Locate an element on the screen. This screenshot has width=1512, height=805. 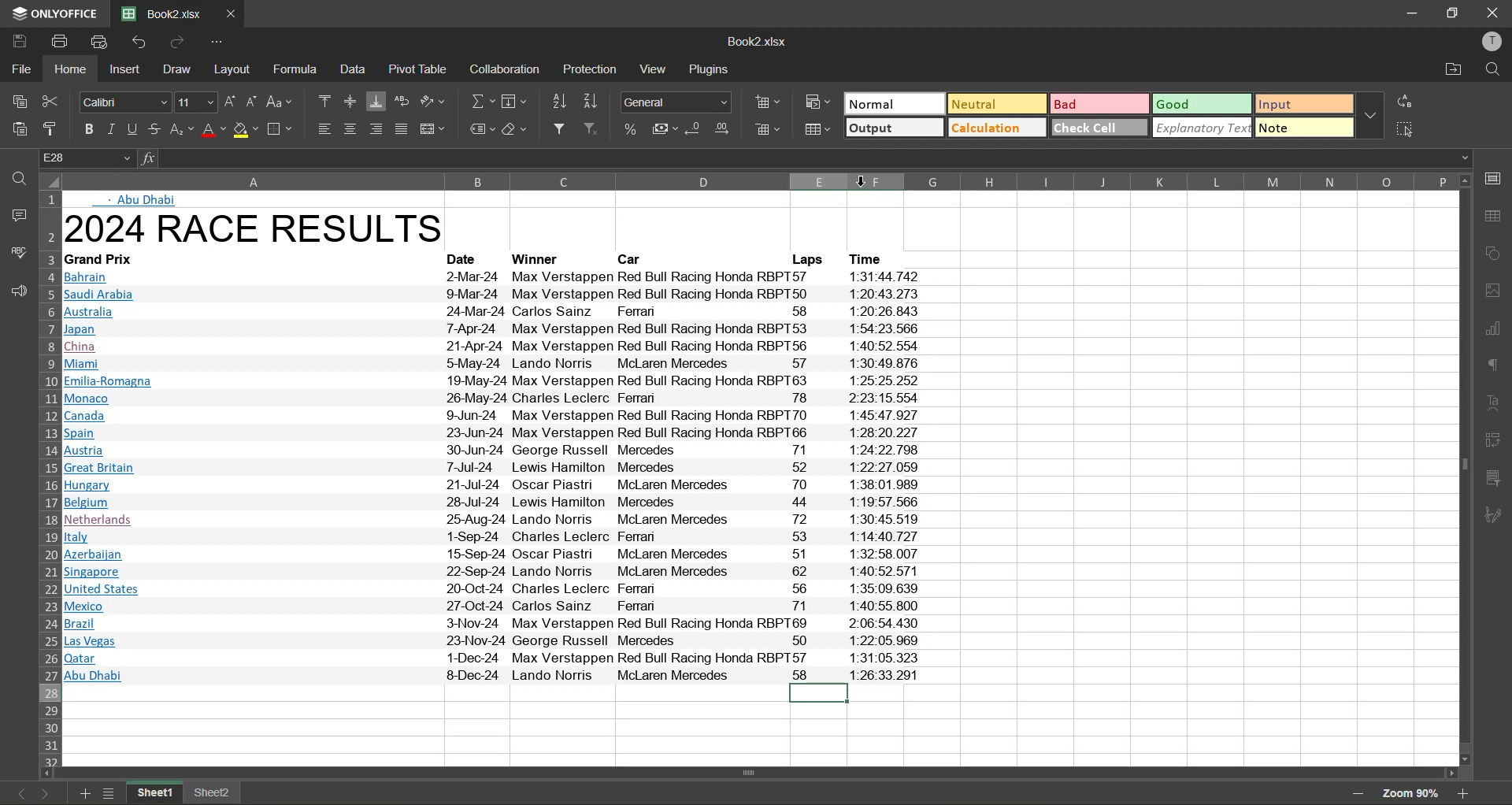
bold is located at coordinates (86, 128).